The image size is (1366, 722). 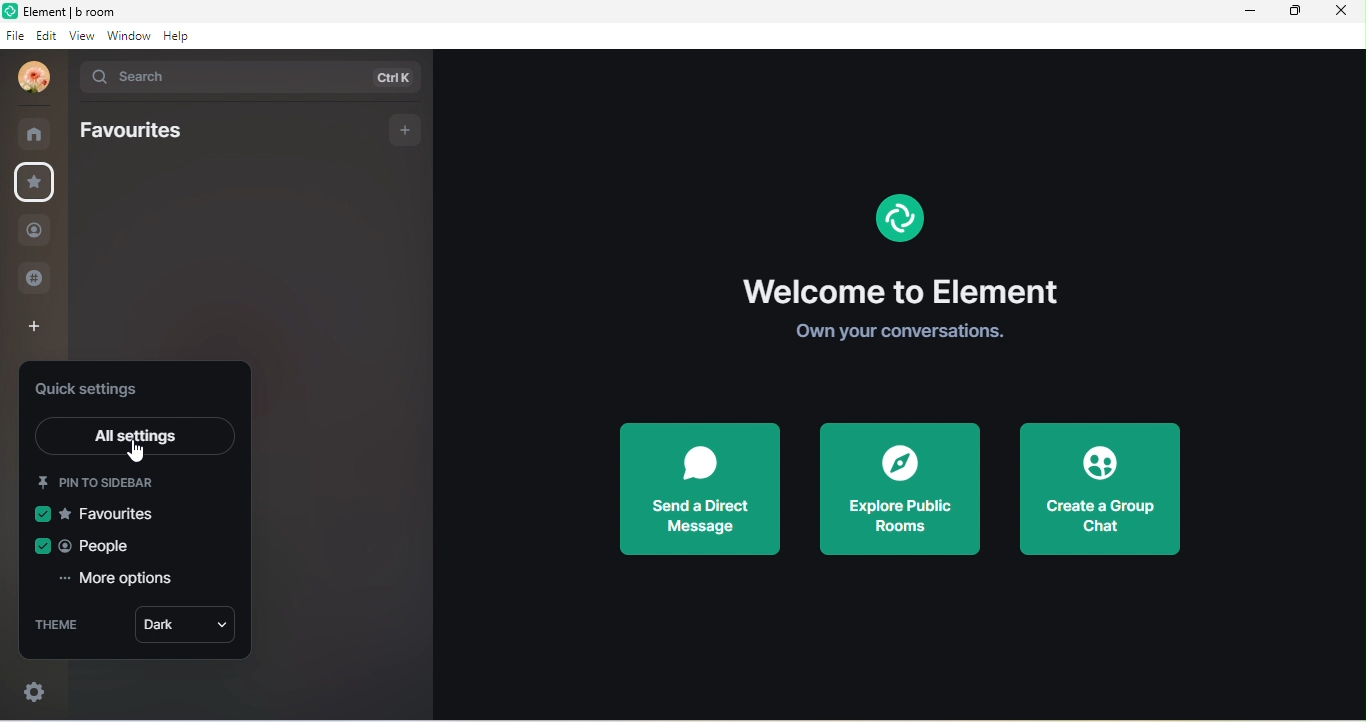 I want to click on explore public rooms, so click(x=902, y=489).